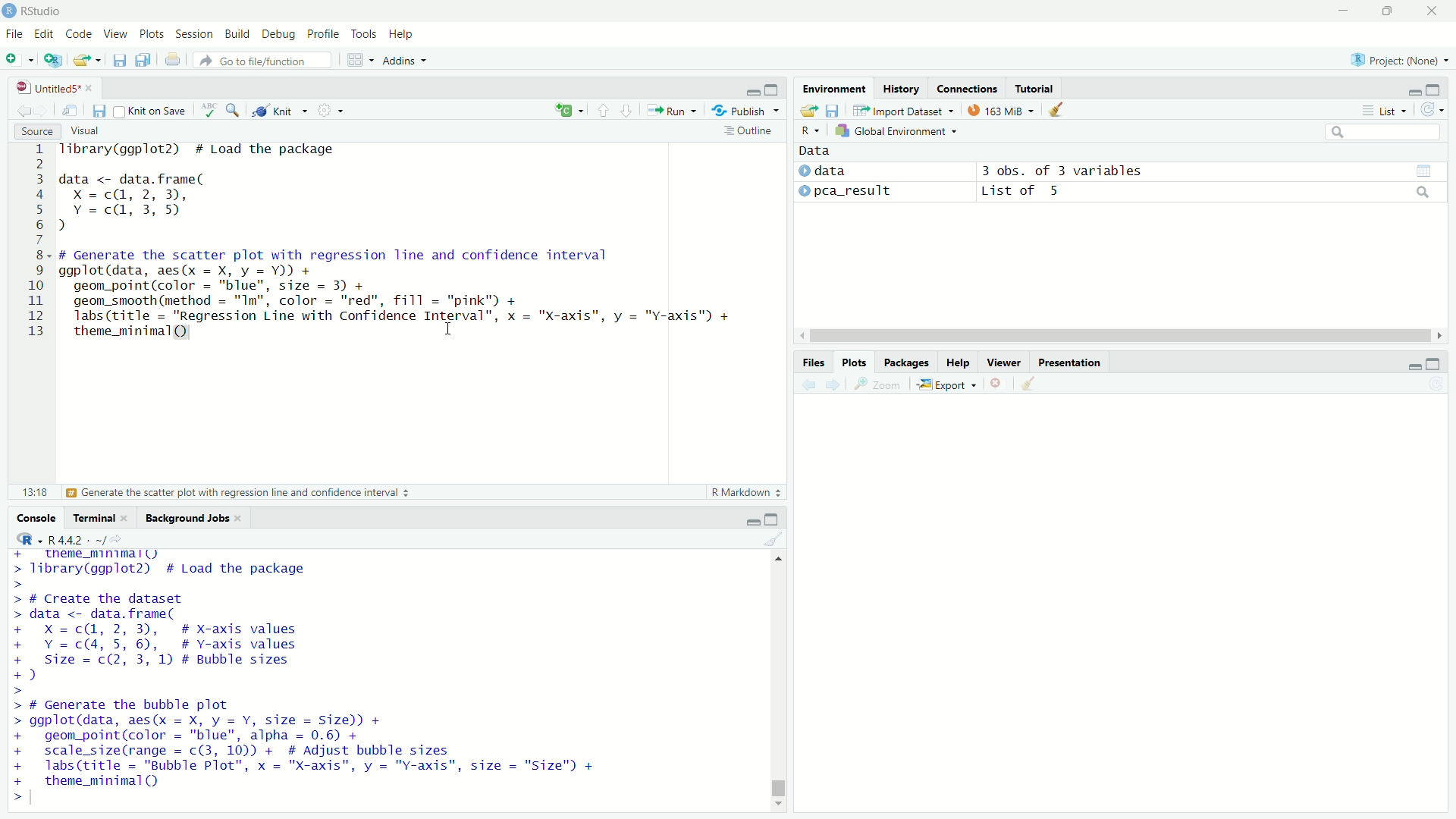  Describe the element at coordinates (18, 58) in the screenshot. I see `New file` at that location.